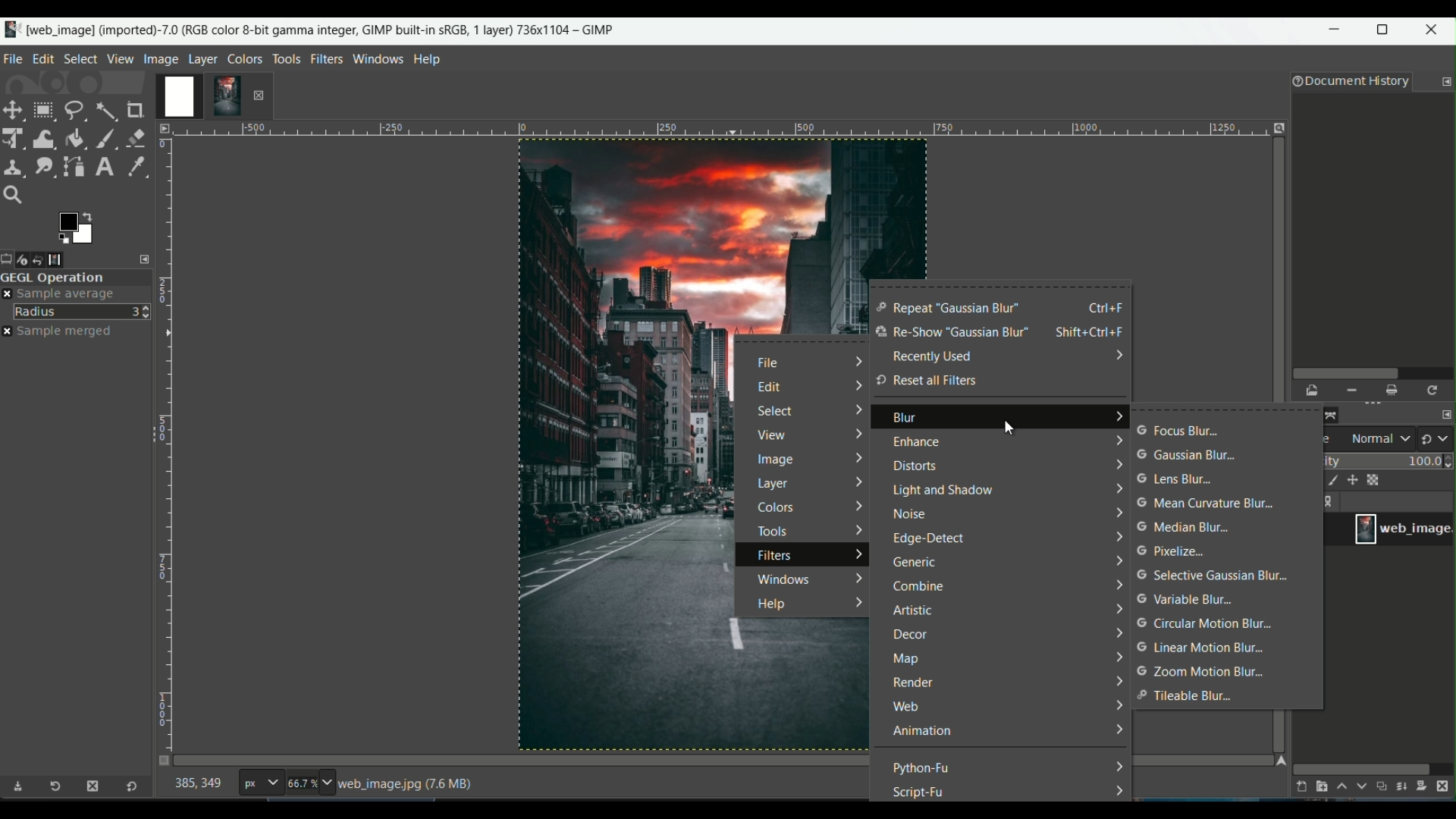 This screenshot has height=819, width=1456. I want to click on filter tab, so click(326, 58).